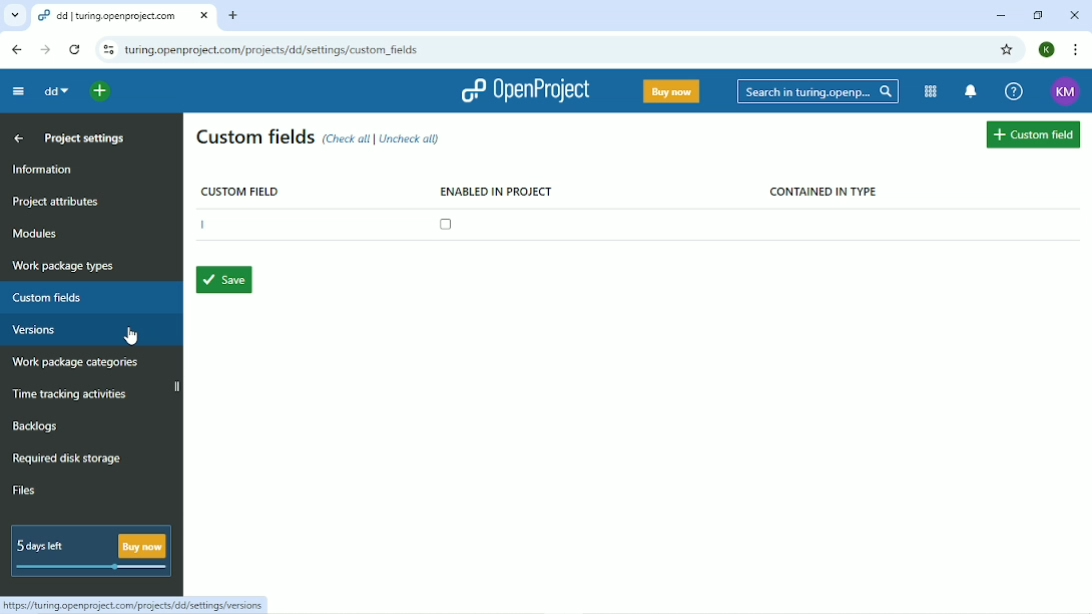 This screenshot has width=1092, height=614. What do you see at coordinates (209, 225) in the screenshot?
I see `I` at bounding box center [209, 225].